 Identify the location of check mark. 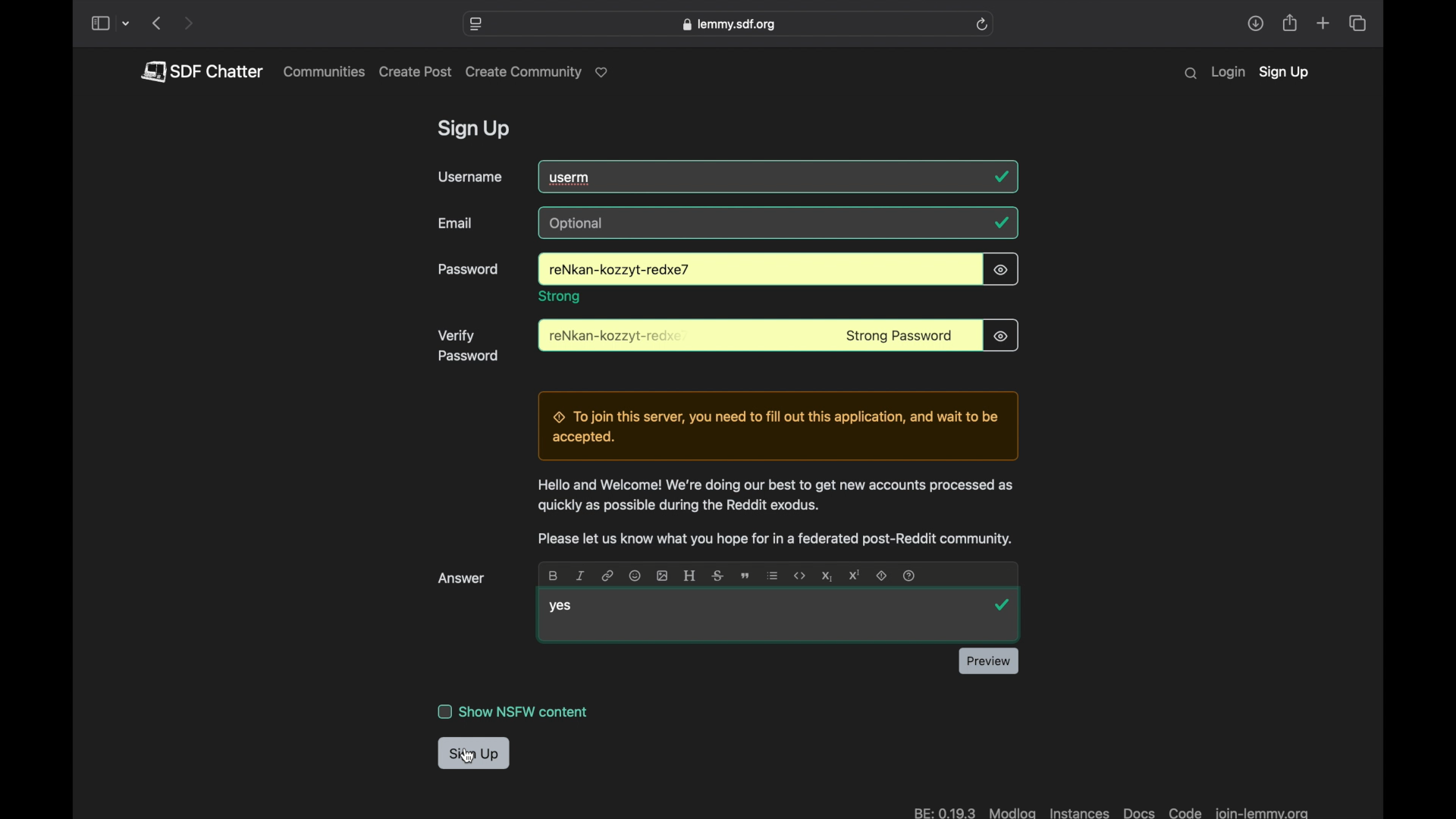
(1001, 222).